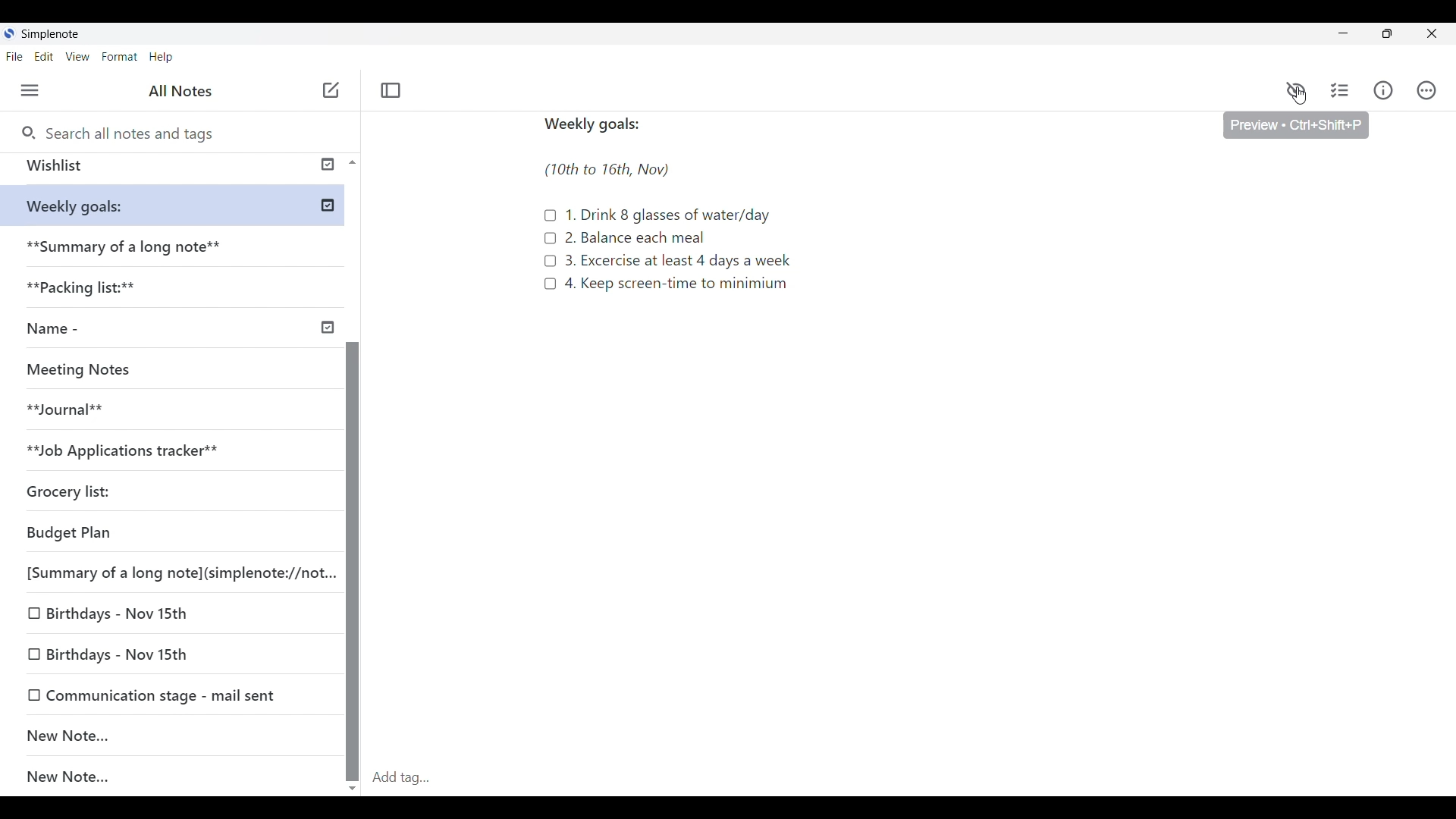  What do you see at coordinates (1385, 91) in the screenshot?
I see `Info` at bounding box center [1385, 91].